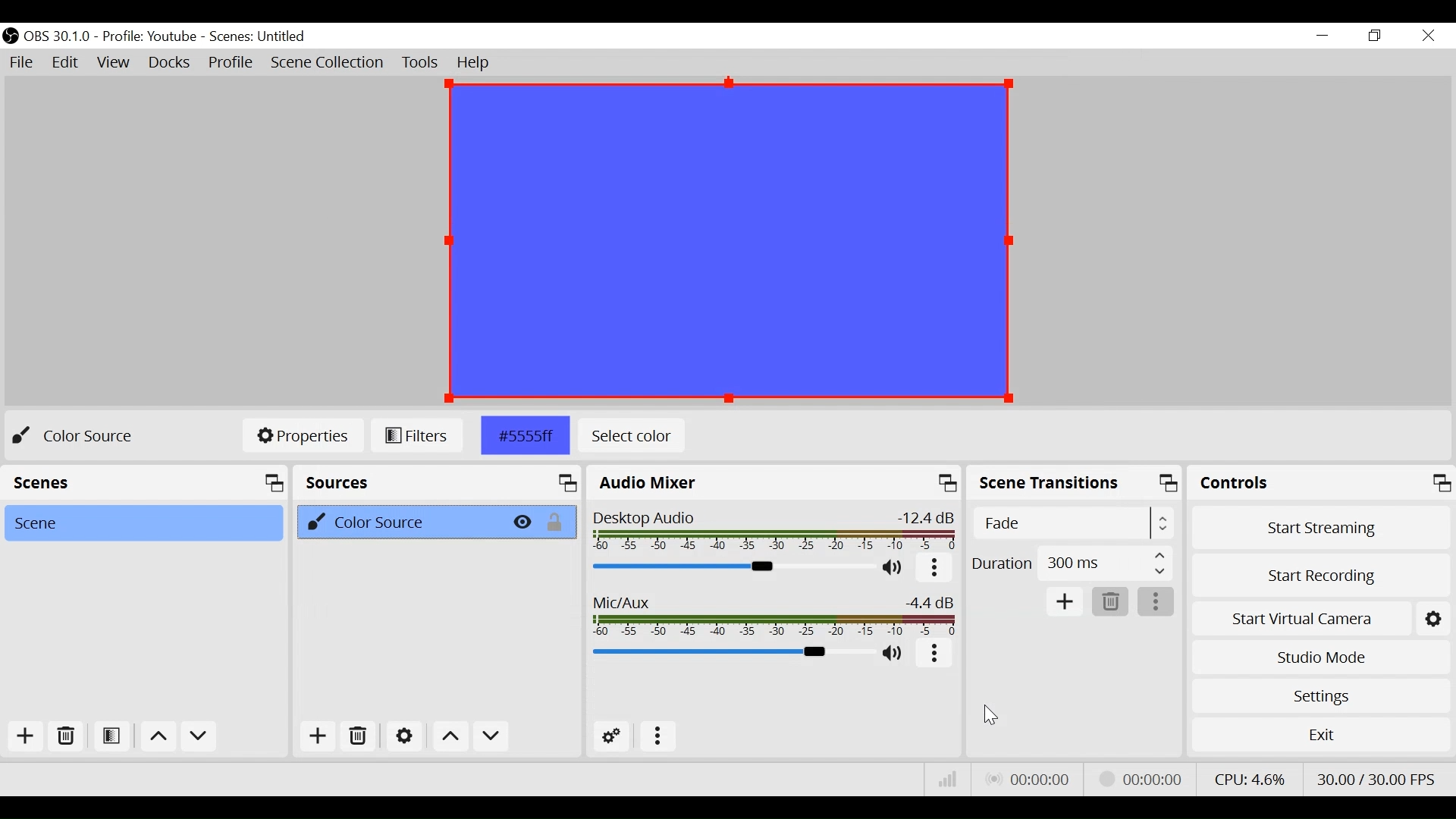 This screenshot has height=819, width=1456. Describe the element at coordinates (1322, 696) in the screenshot. I see `Settings` at that location.